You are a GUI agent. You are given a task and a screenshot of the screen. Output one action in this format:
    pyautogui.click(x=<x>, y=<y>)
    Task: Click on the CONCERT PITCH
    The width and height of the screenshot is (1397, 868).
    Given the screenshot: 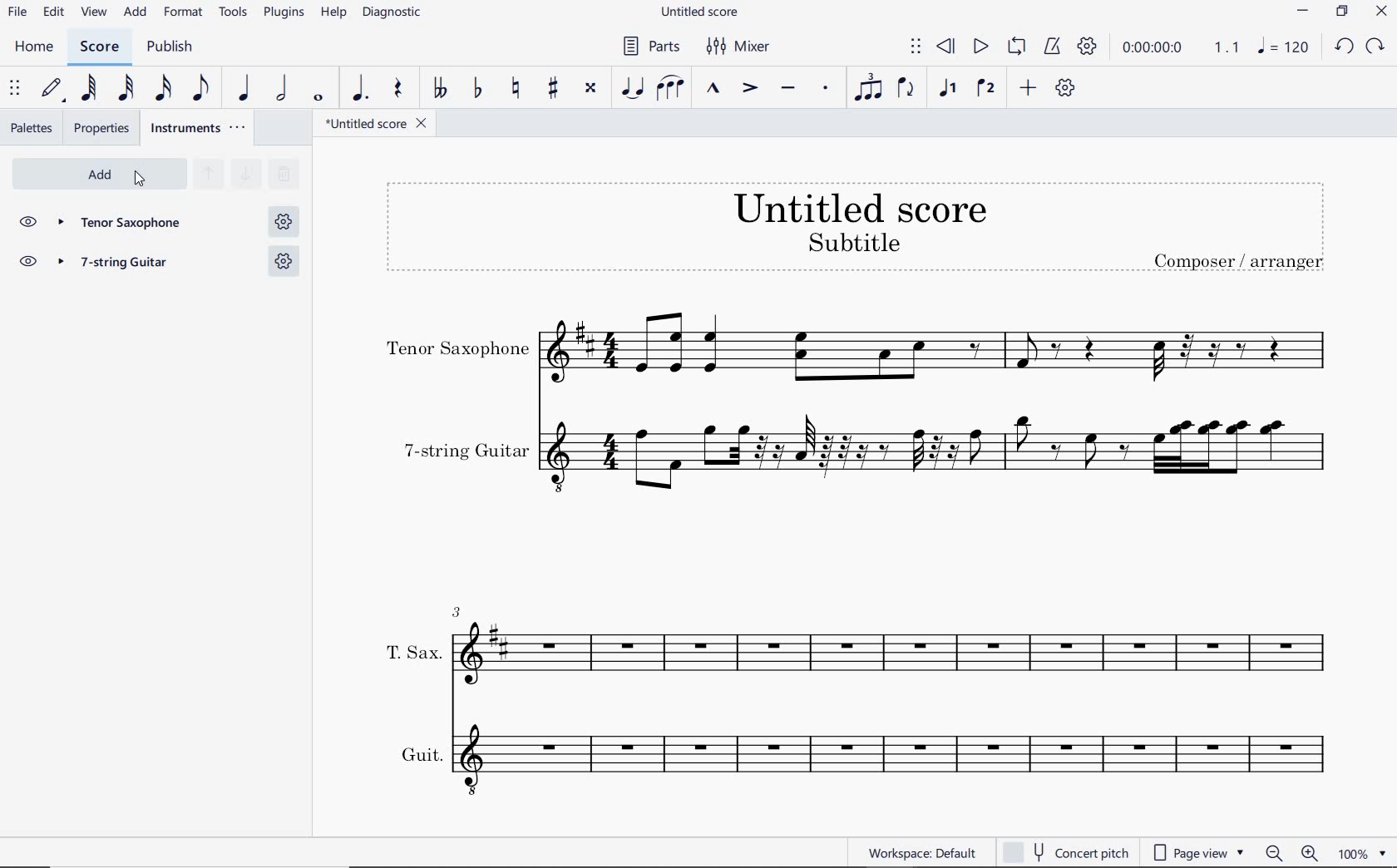 What is the action you would take?
    pyautogui.click(x=1064, y=852)
    